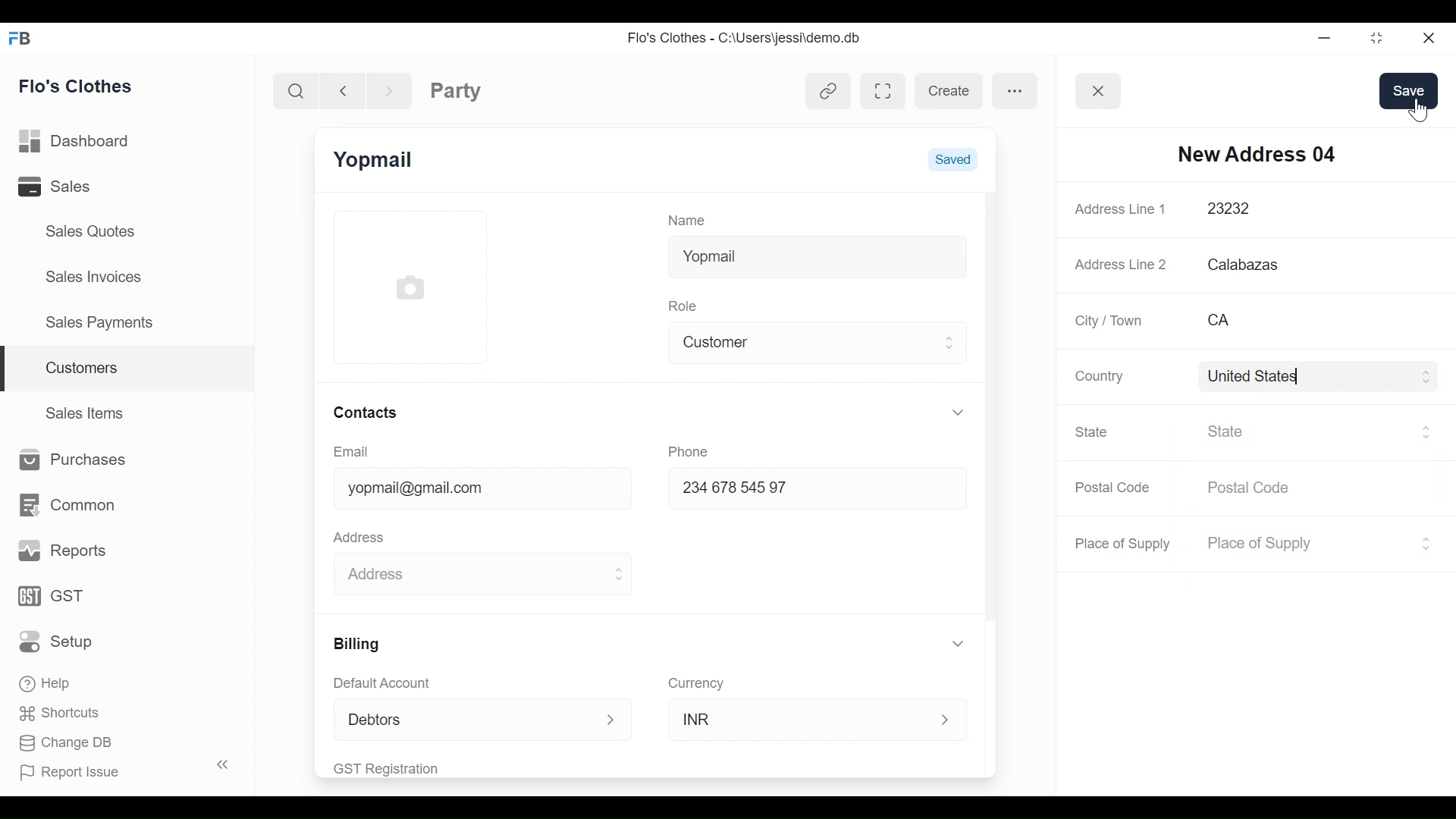  Describe the element at coordinates (686, 304) in the screenshot. I see `Role` at that location.